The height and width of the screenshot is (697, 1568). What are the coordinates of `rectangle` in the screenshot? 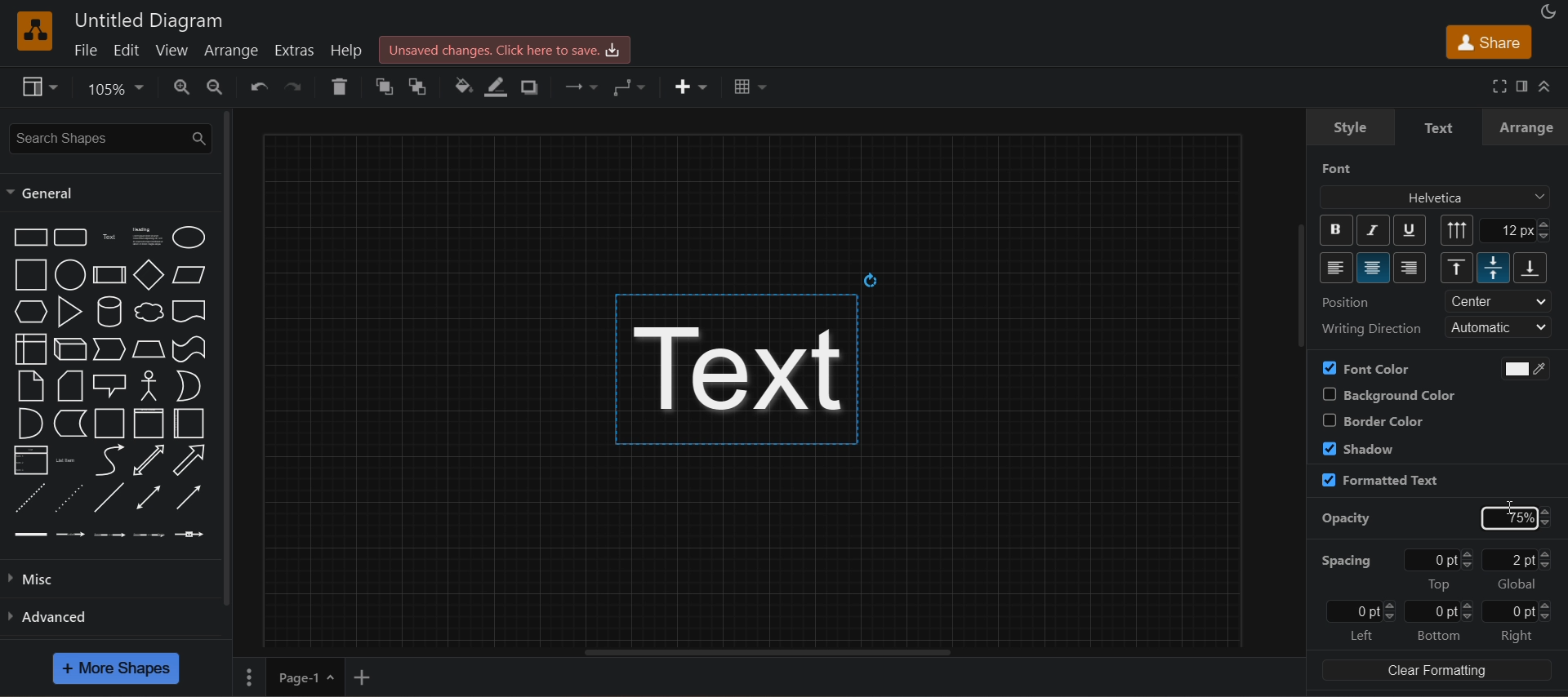 It's located at (29, 237).